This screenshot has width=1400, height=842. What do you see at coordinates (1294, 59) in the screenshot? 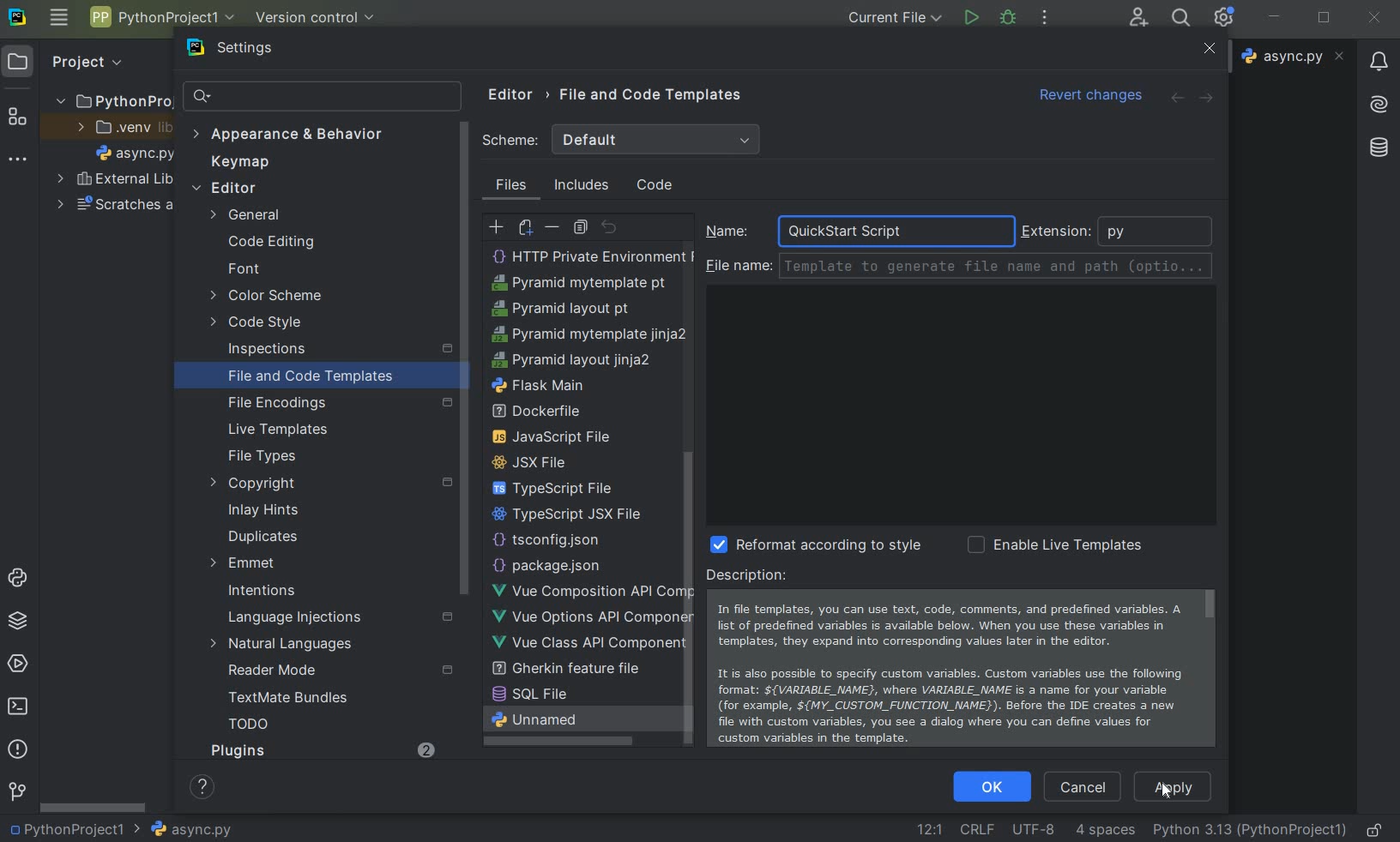
I see `file name` at bounding box center [1294, 59].